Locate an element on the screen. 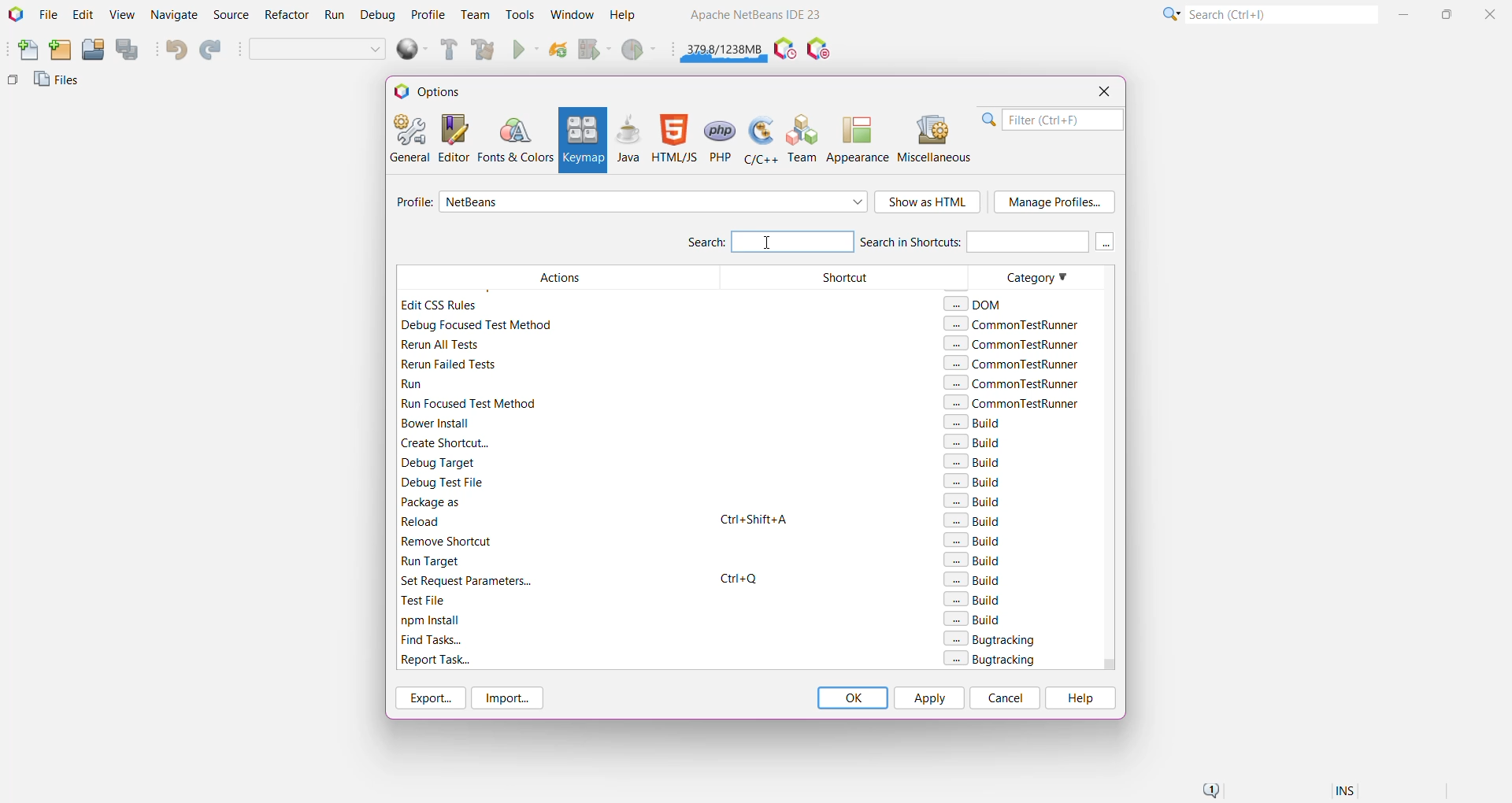 Image resolution: width=1512 pixels, height=803 pixels. Tools is located at coordinates (521, 13).